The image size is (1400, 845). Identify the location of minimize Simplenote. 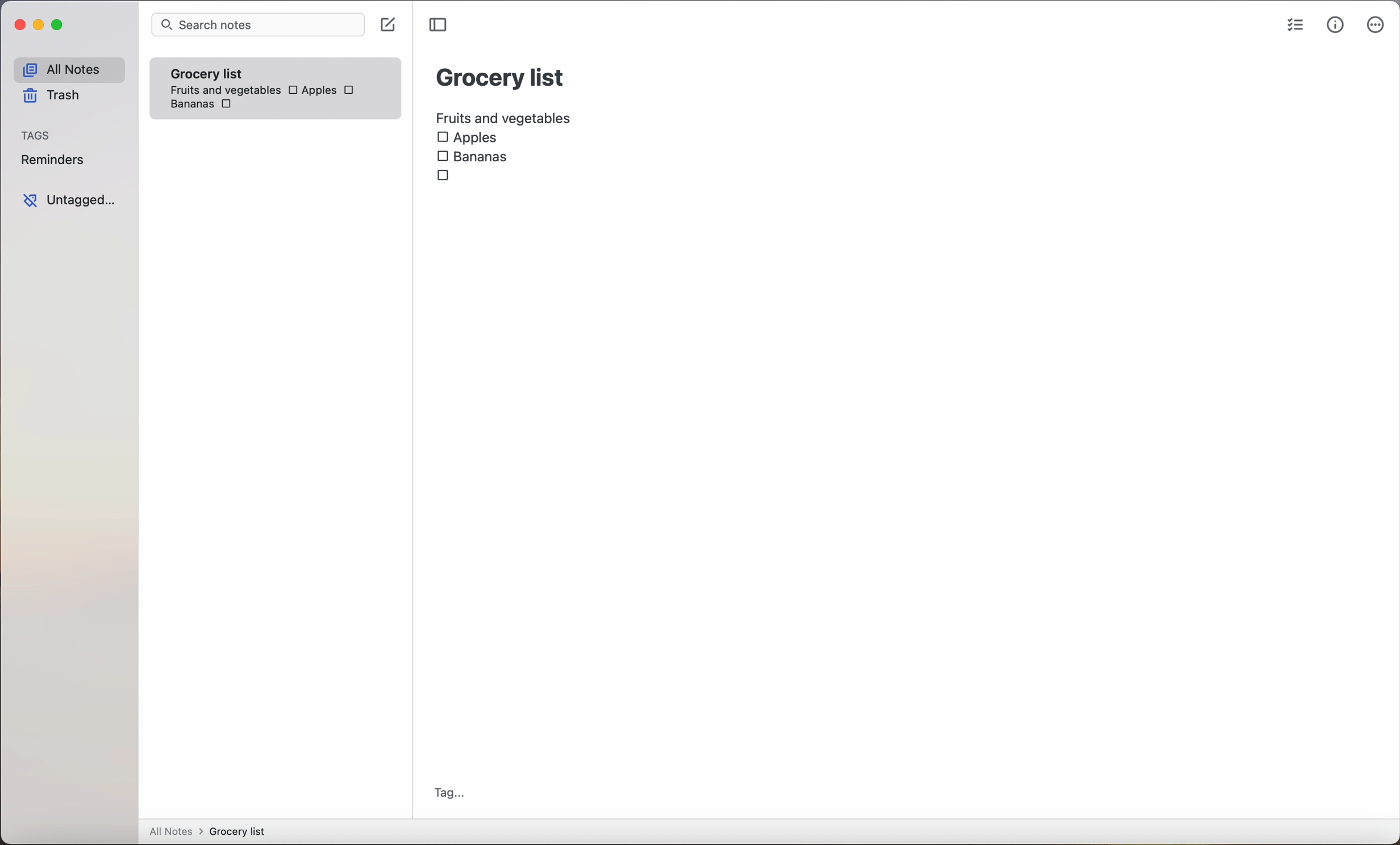
(41, 27).